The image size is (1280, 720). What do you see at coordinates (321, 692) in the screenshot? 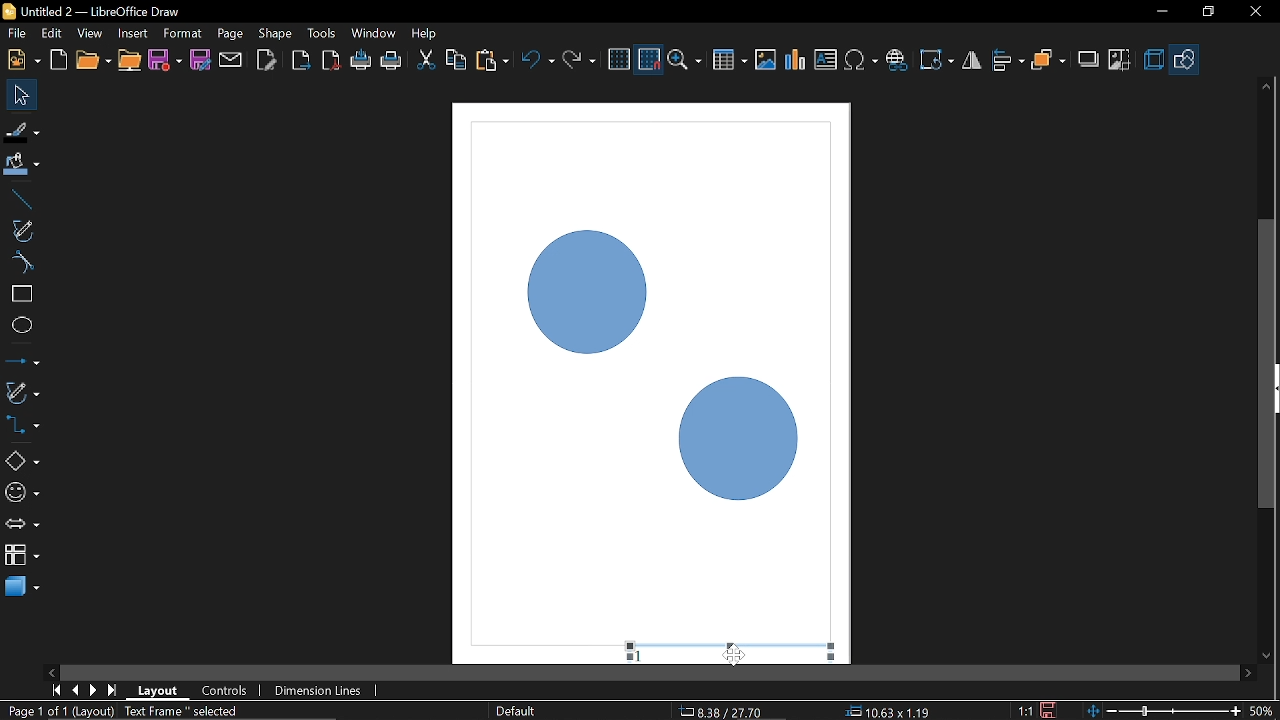
I see `DImension line` at bounding box center [321, 692].